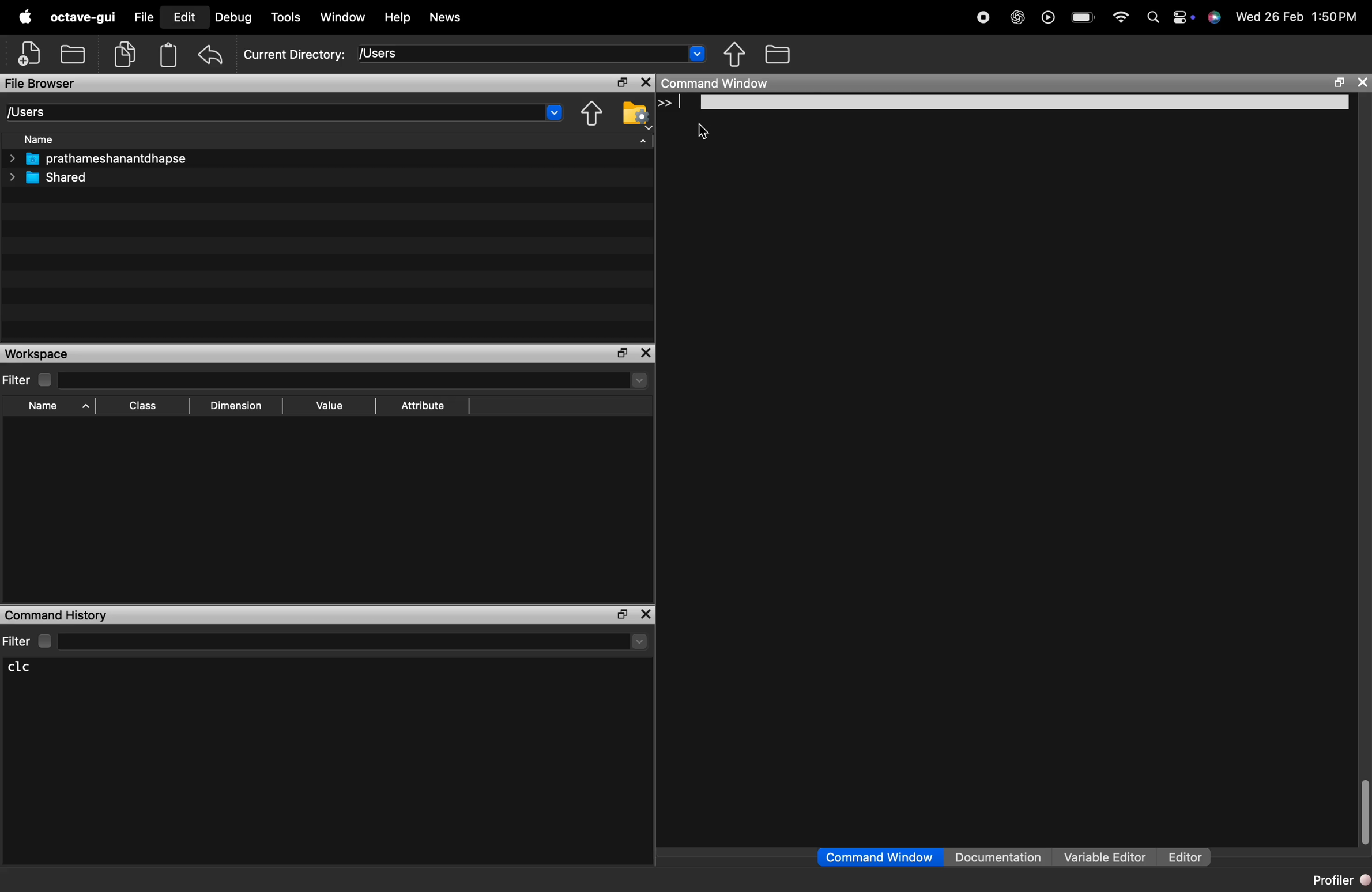 The image size is (1372, 892). Describe the element at coordinates (663, 103) in the screenshot. I see `New line` at that location.